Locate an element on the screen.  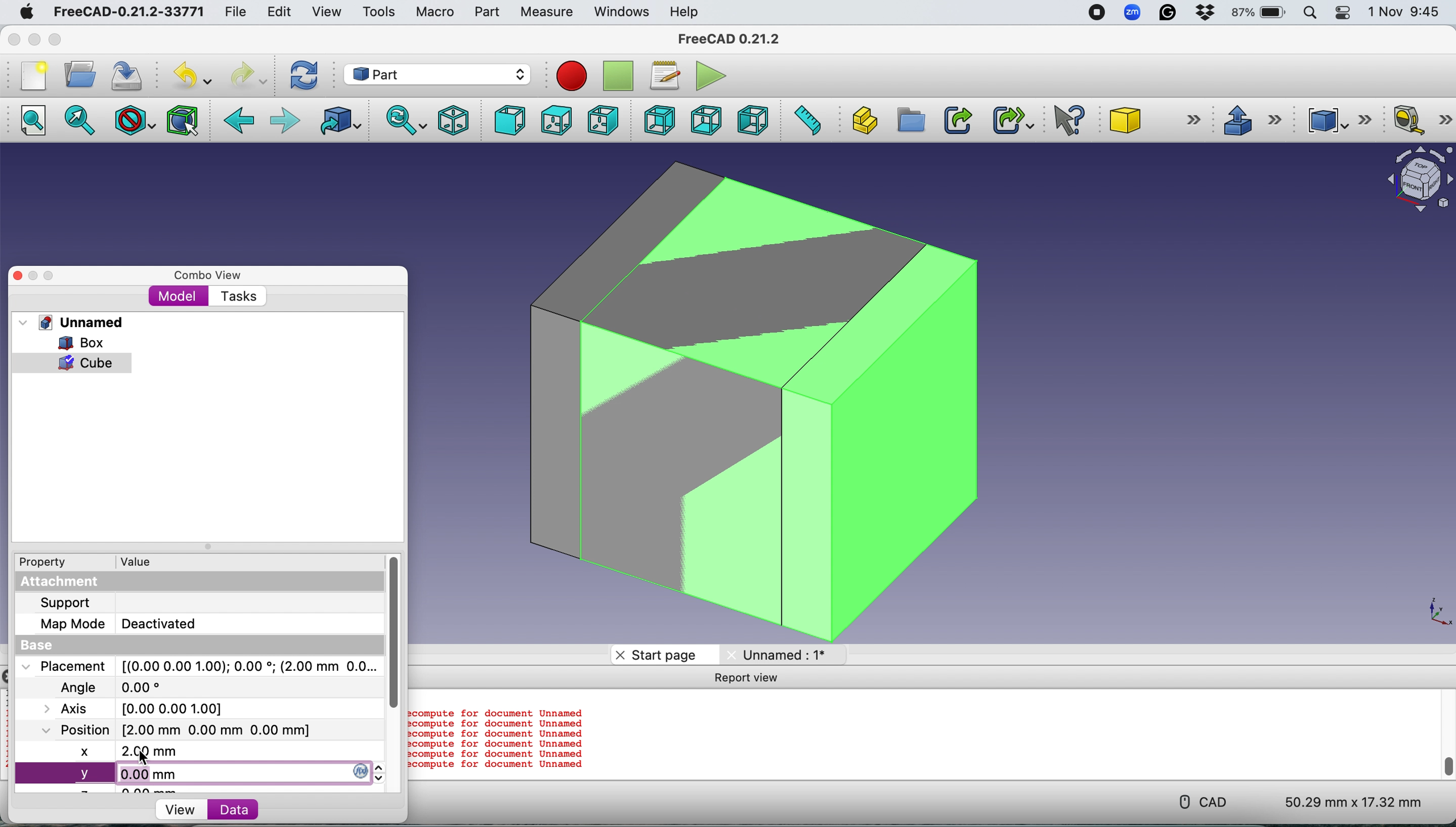
Draw style is located at coordinates (136, 120).